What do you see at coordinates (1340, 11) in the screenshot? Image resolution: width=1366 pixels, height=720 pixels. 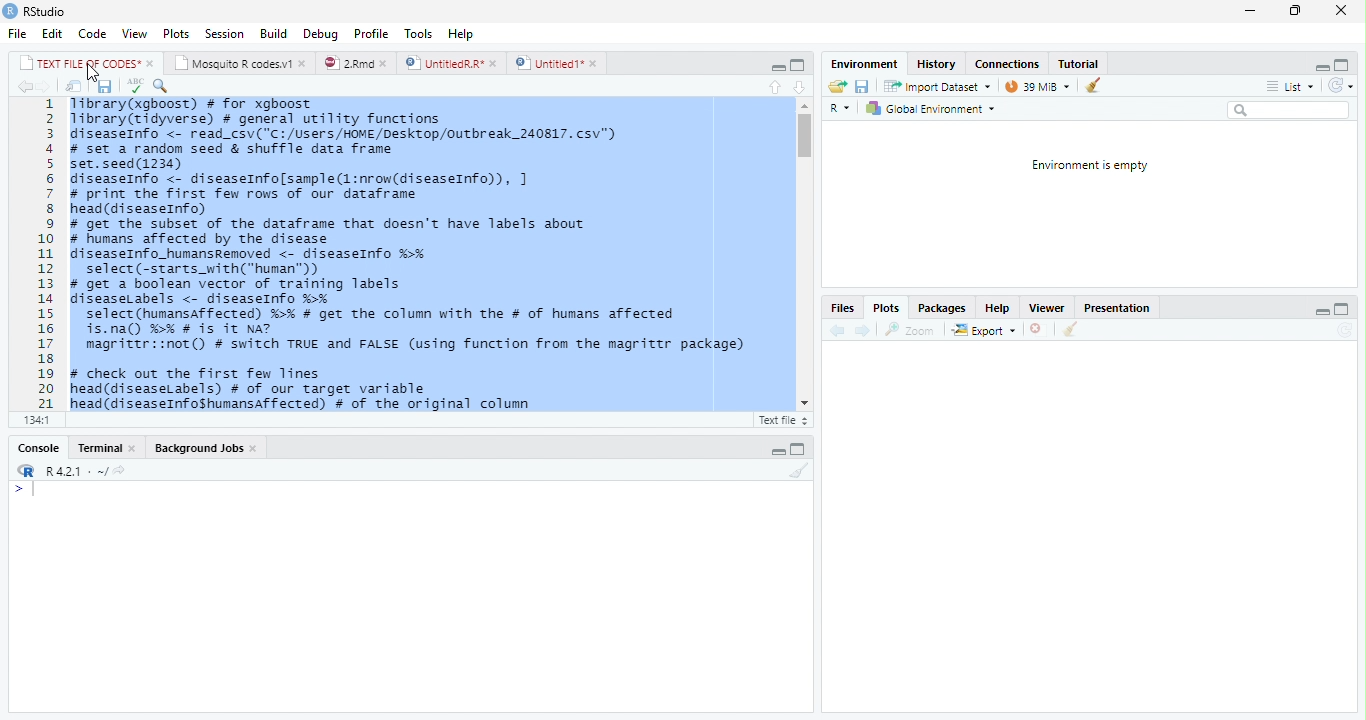 I see `Close` at bounding box center [1340, 11].